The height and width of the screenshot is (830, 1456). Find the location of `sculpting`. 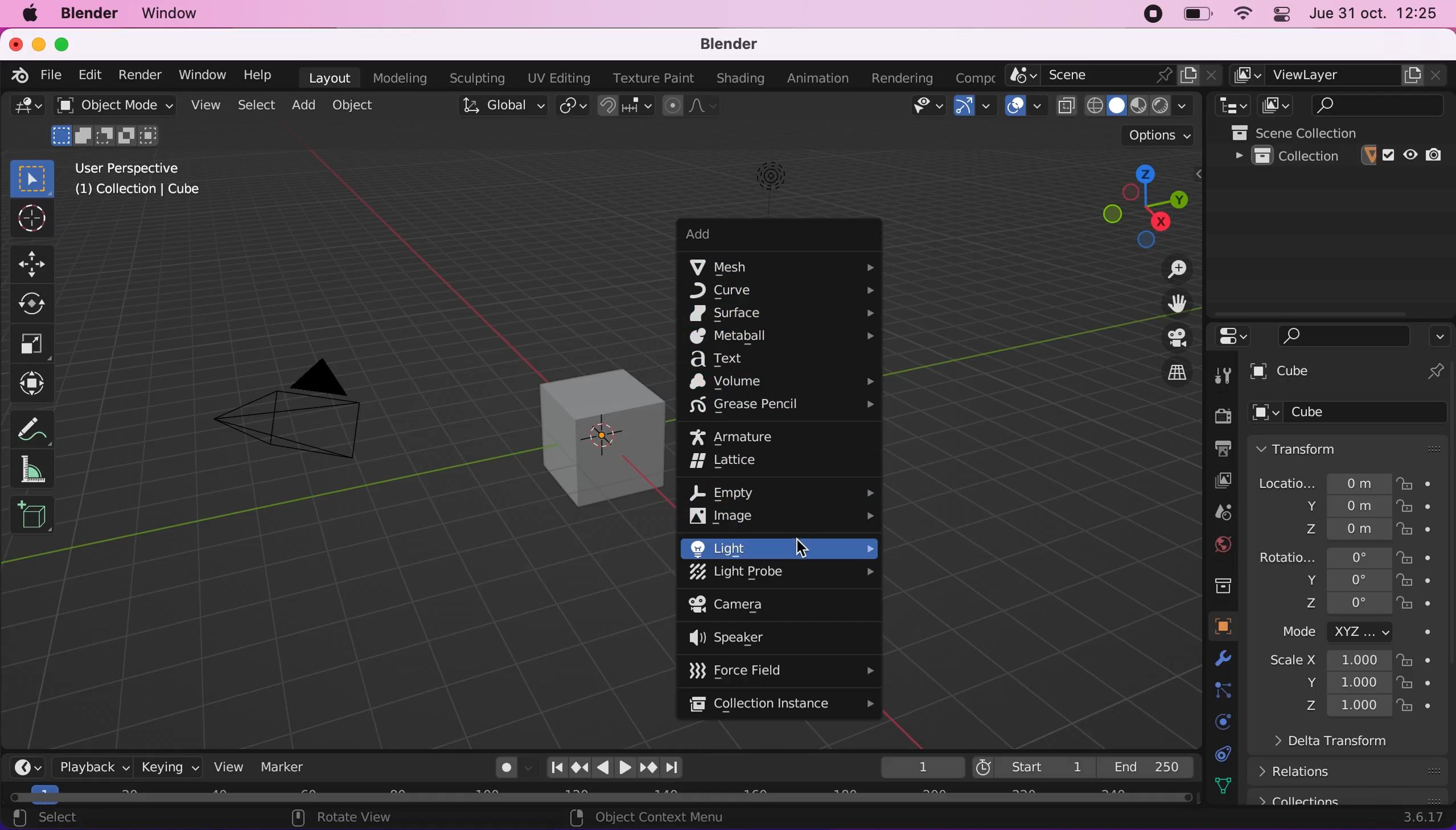

sculpting is located at coordinates (476, 79).